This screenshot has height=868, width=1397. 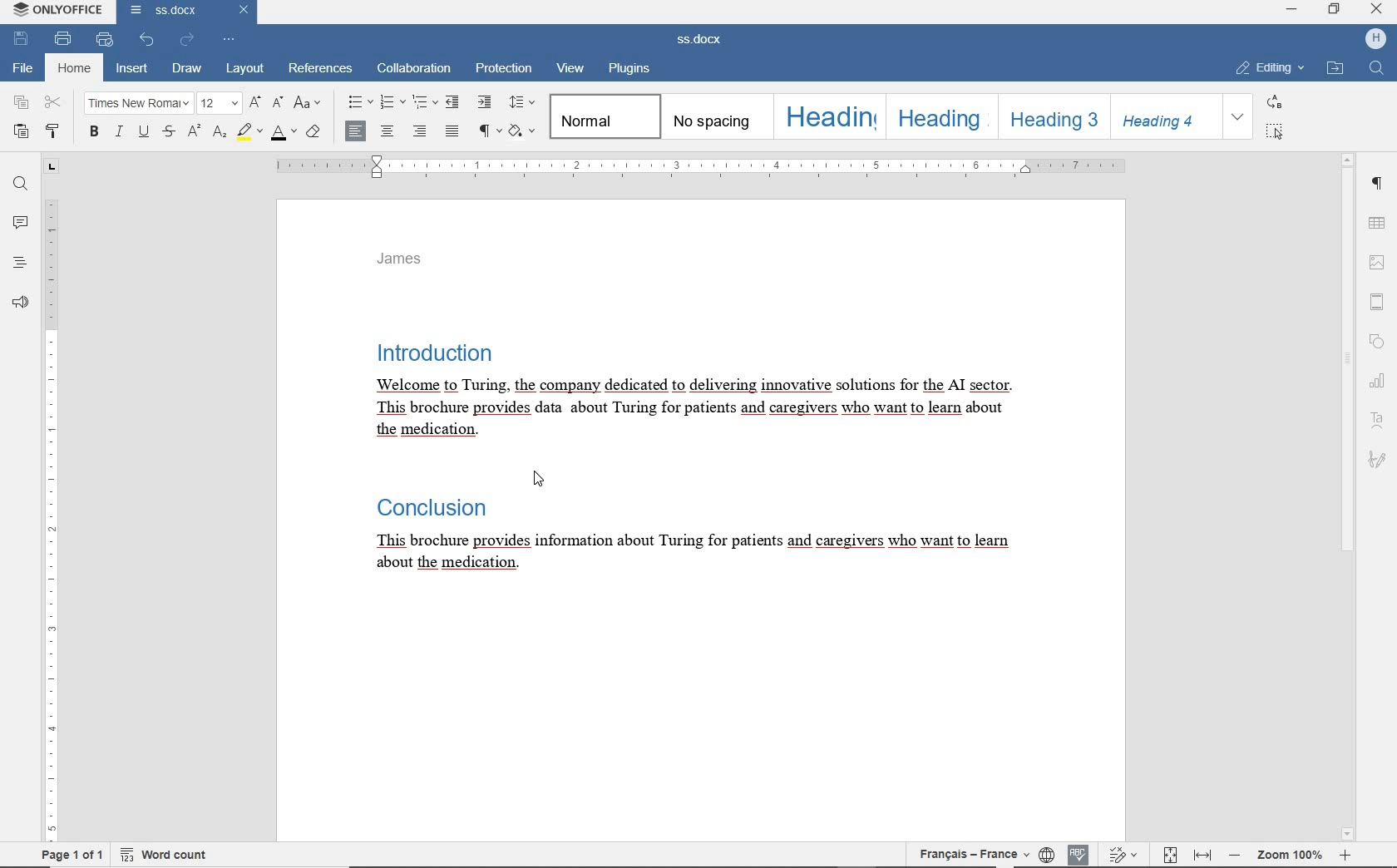 I want to click on ITALIC, so click(x=118, y=133).